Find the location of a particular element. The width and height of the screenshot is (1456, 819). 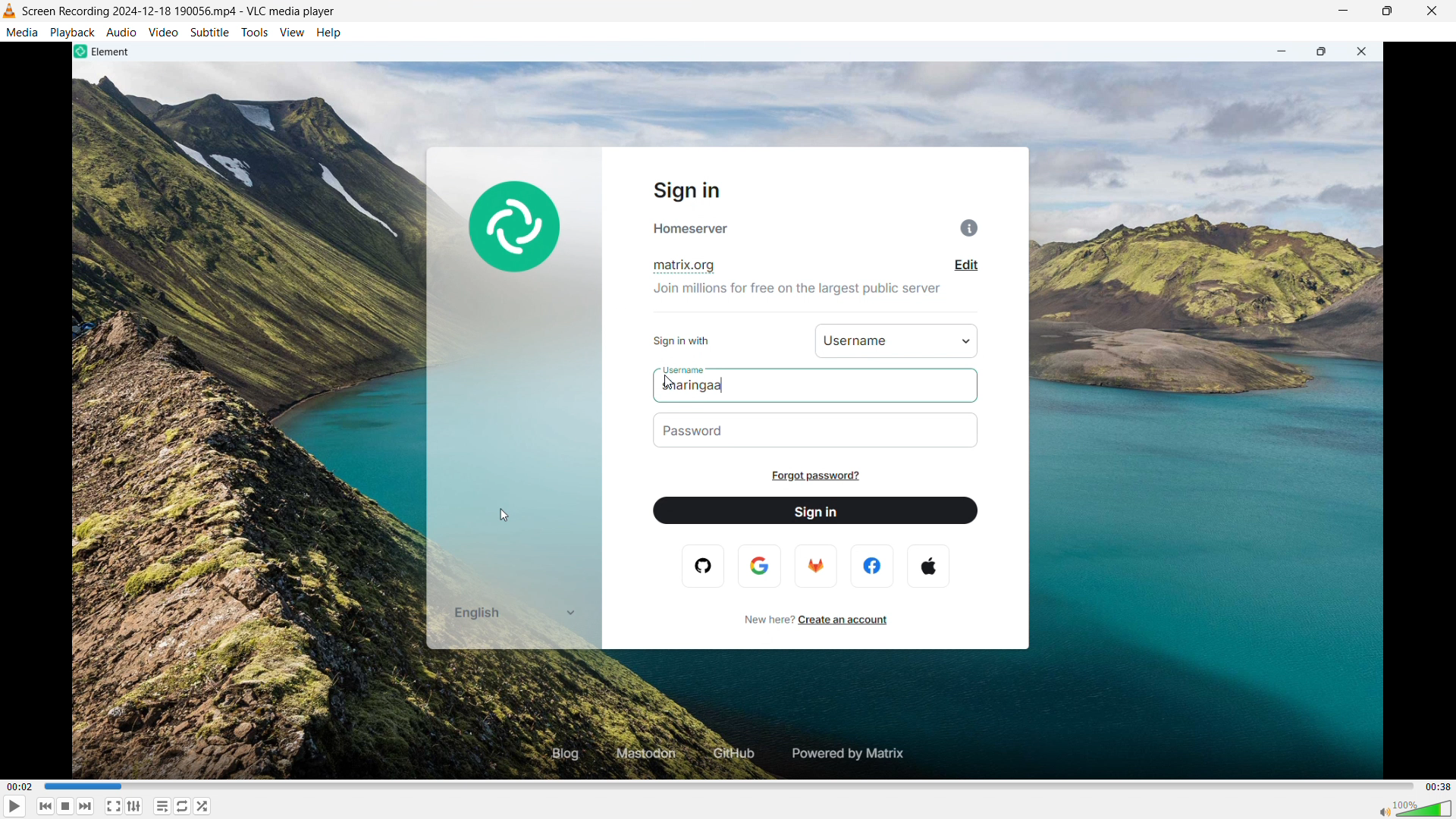

mastodon is located at coordinates (645, 751).